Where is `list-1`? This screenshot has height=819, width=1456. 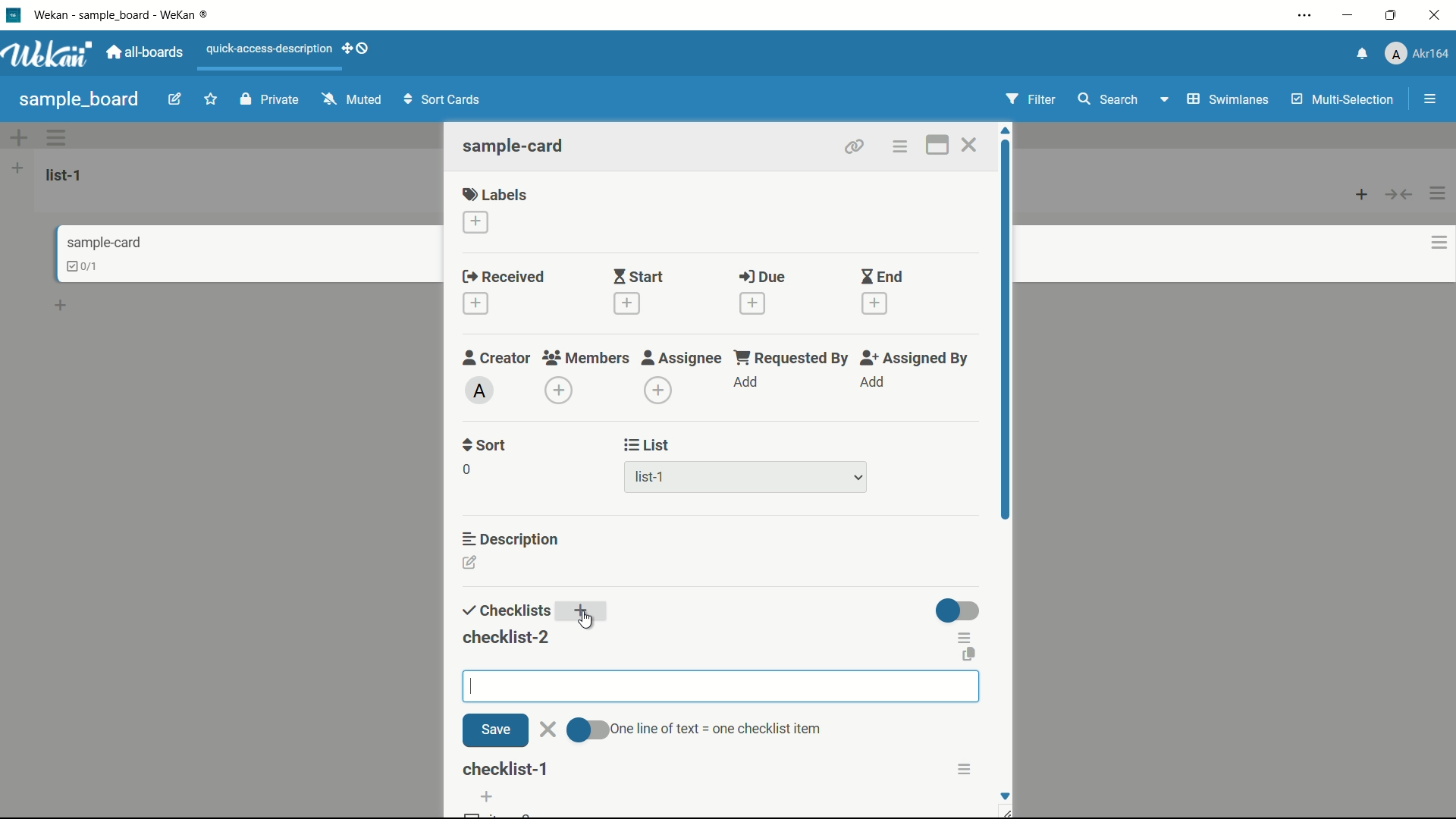
list-1 is located at coordinates (652, 480).